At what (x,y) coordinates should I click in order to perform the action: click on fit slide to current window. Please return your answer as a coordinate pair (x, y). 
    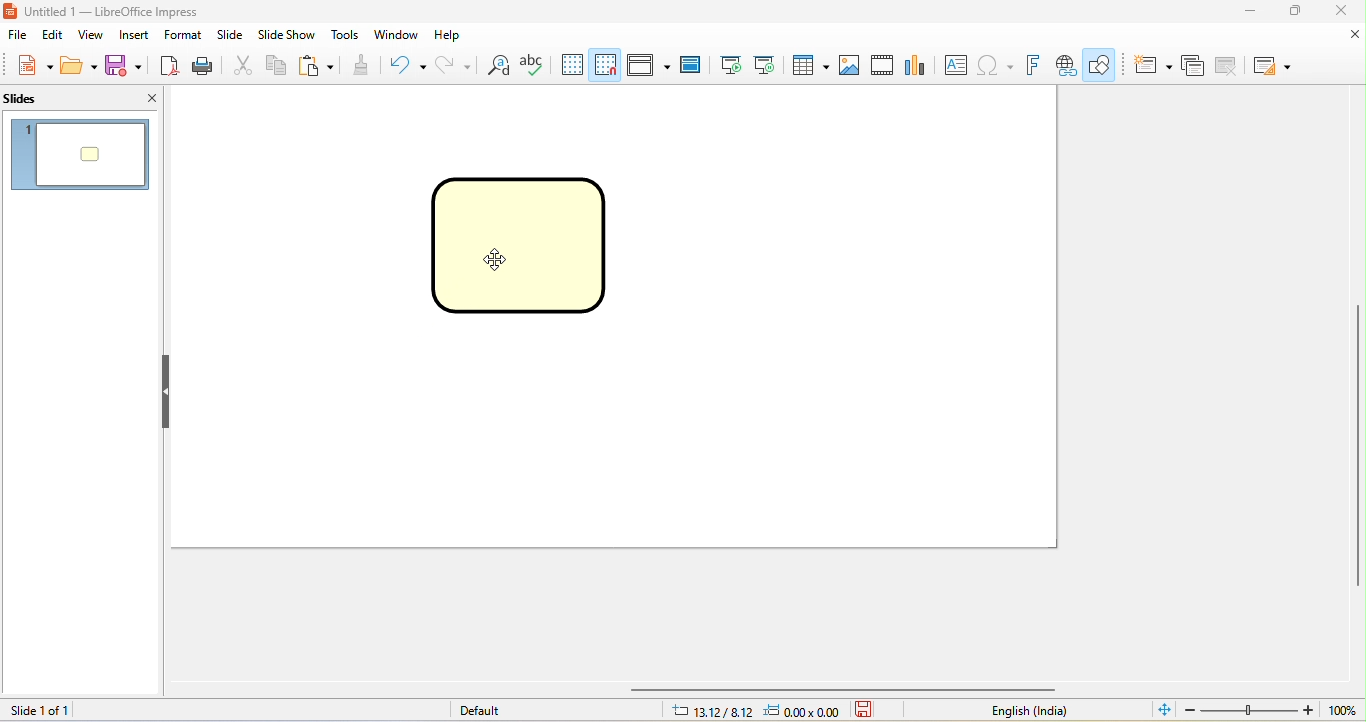
    Looking at the image, I should click on (1163, 711).